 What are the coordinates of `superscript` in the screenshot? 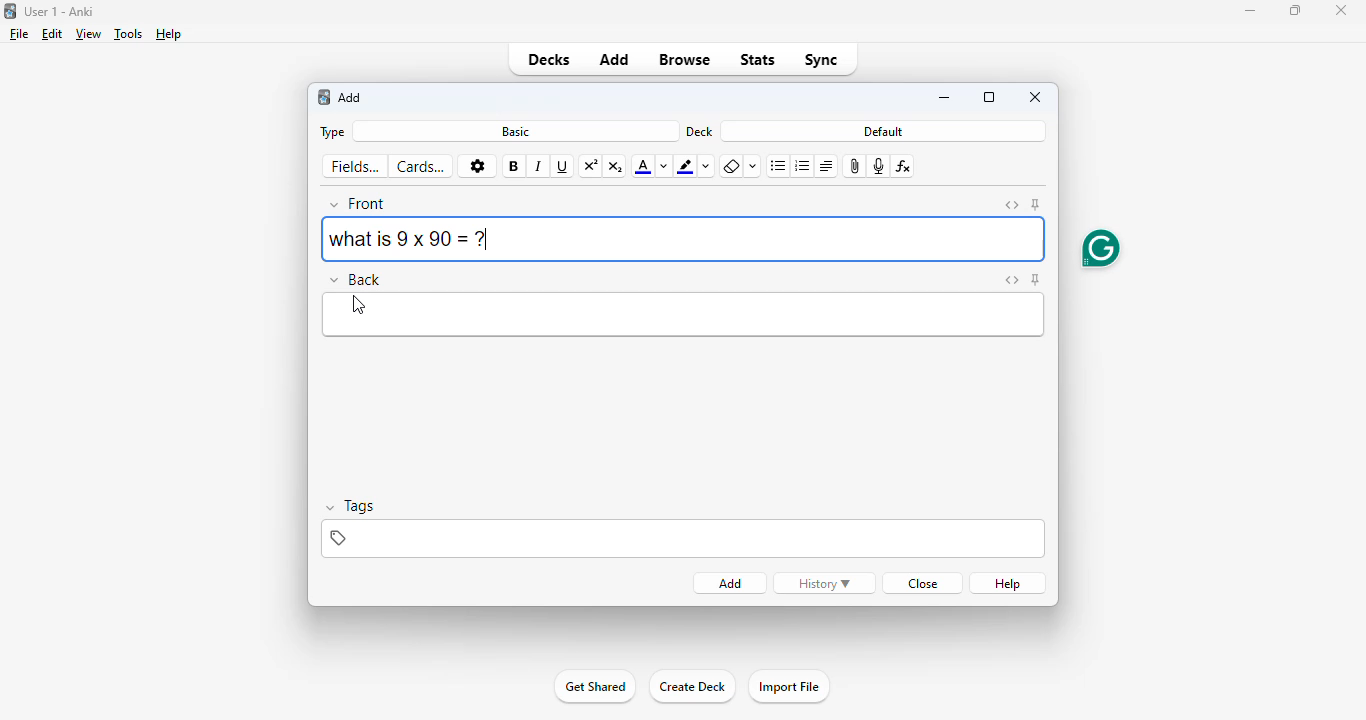 It's located at (592, 165).